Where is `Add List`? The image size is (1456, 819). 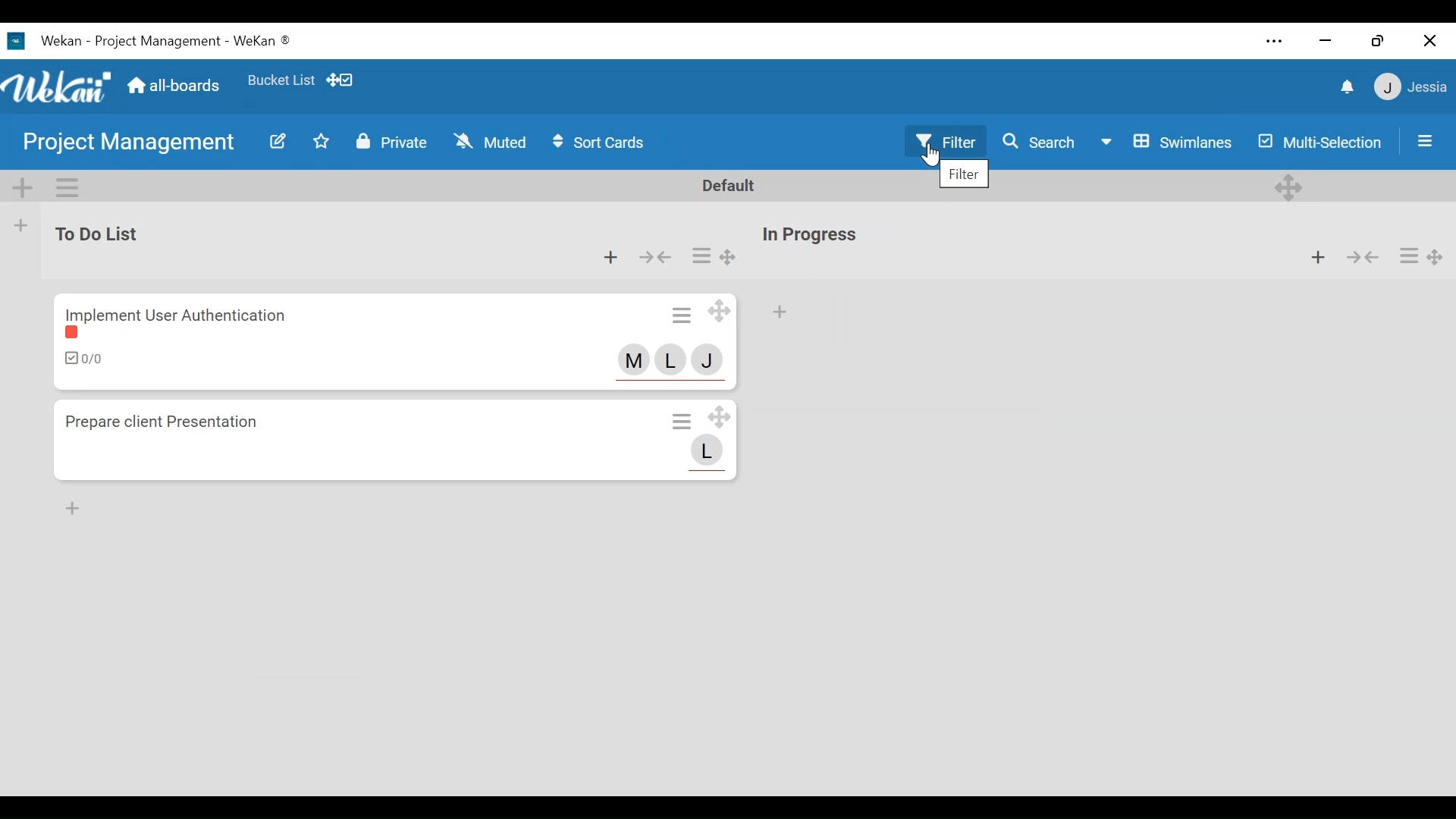 Add List is located at coordinates (21, 227).